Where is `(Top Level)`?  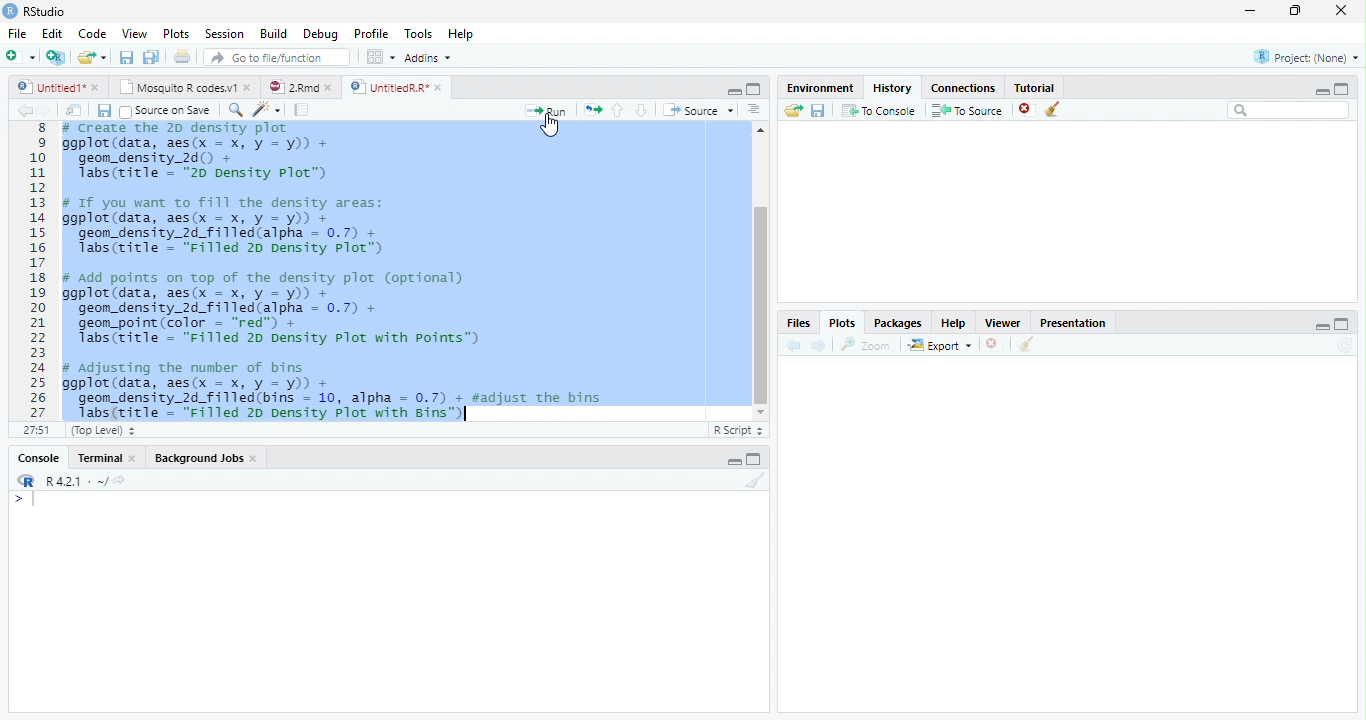
(Top Level) is located at coordinates (101, 431).